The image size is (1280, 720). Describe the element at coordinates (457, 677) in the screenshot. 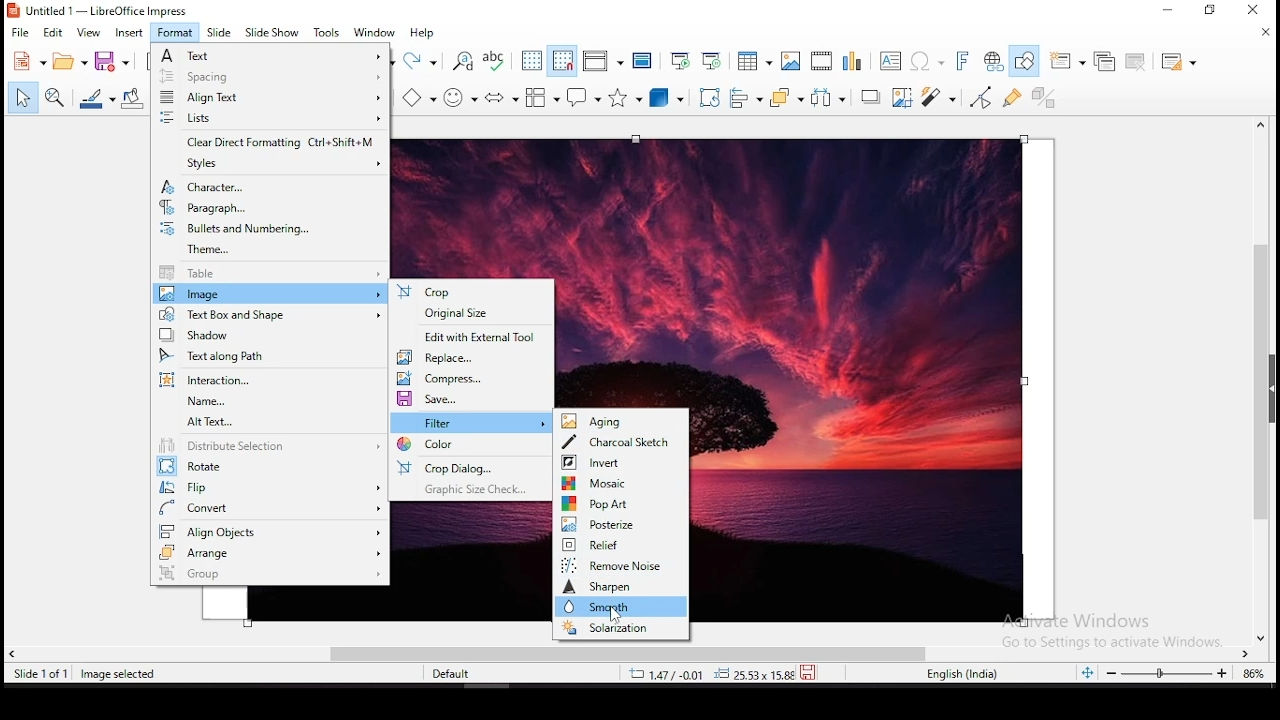

I see `default` at that location.